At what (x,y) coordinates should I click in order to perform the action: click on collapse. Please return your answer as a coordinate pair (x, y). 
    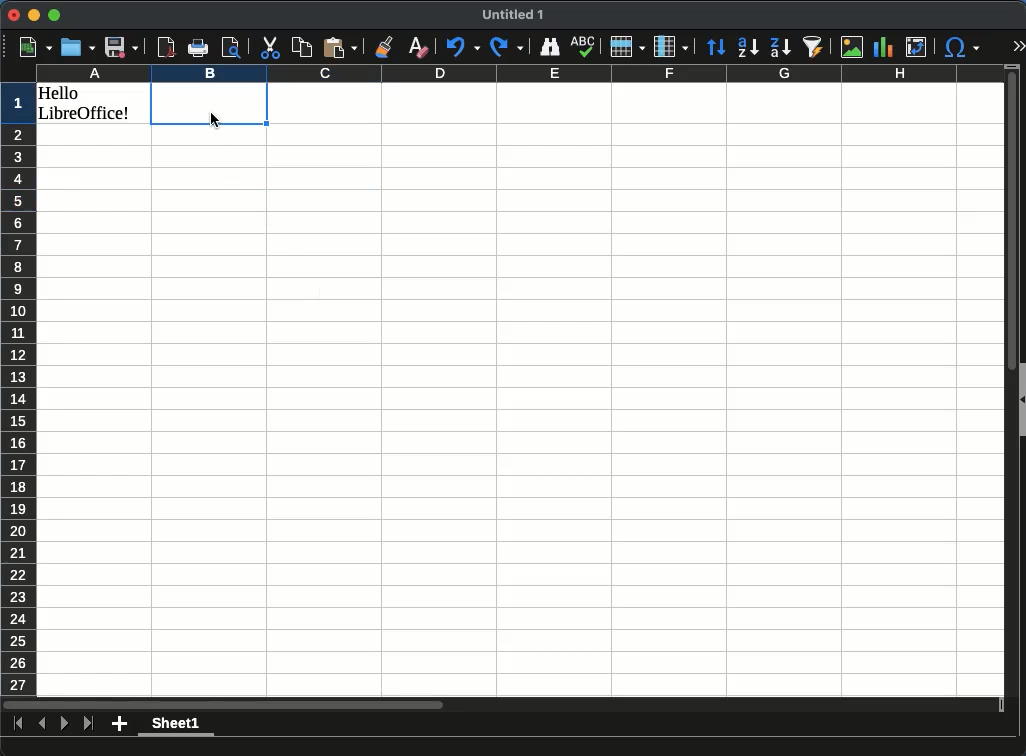
    Looking at the image, I should click on (1020, 401).